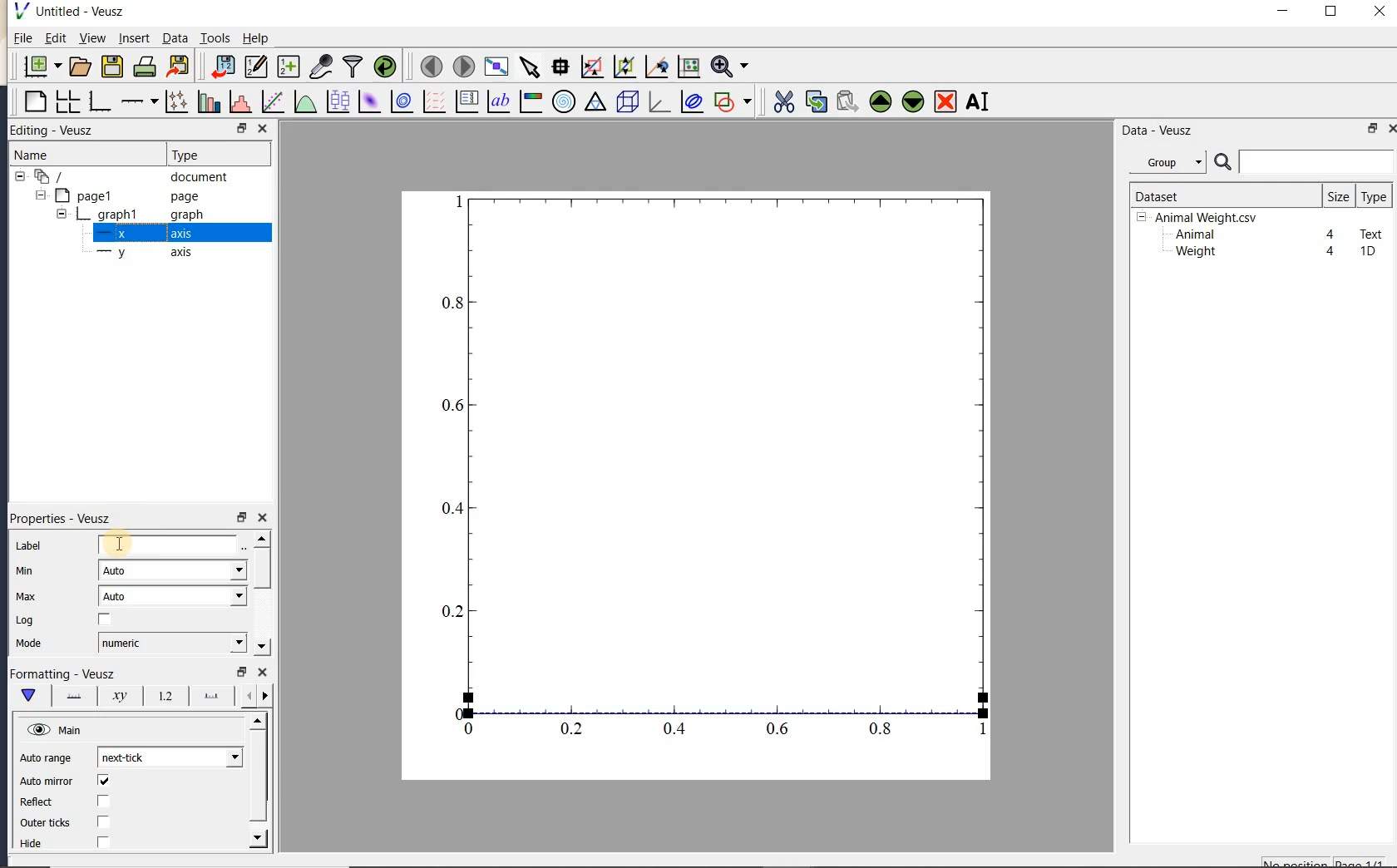 Image resolution: width=1397 pixels, height=868 pixels. I want to click on Data - Veusz, so click(1172, 163).